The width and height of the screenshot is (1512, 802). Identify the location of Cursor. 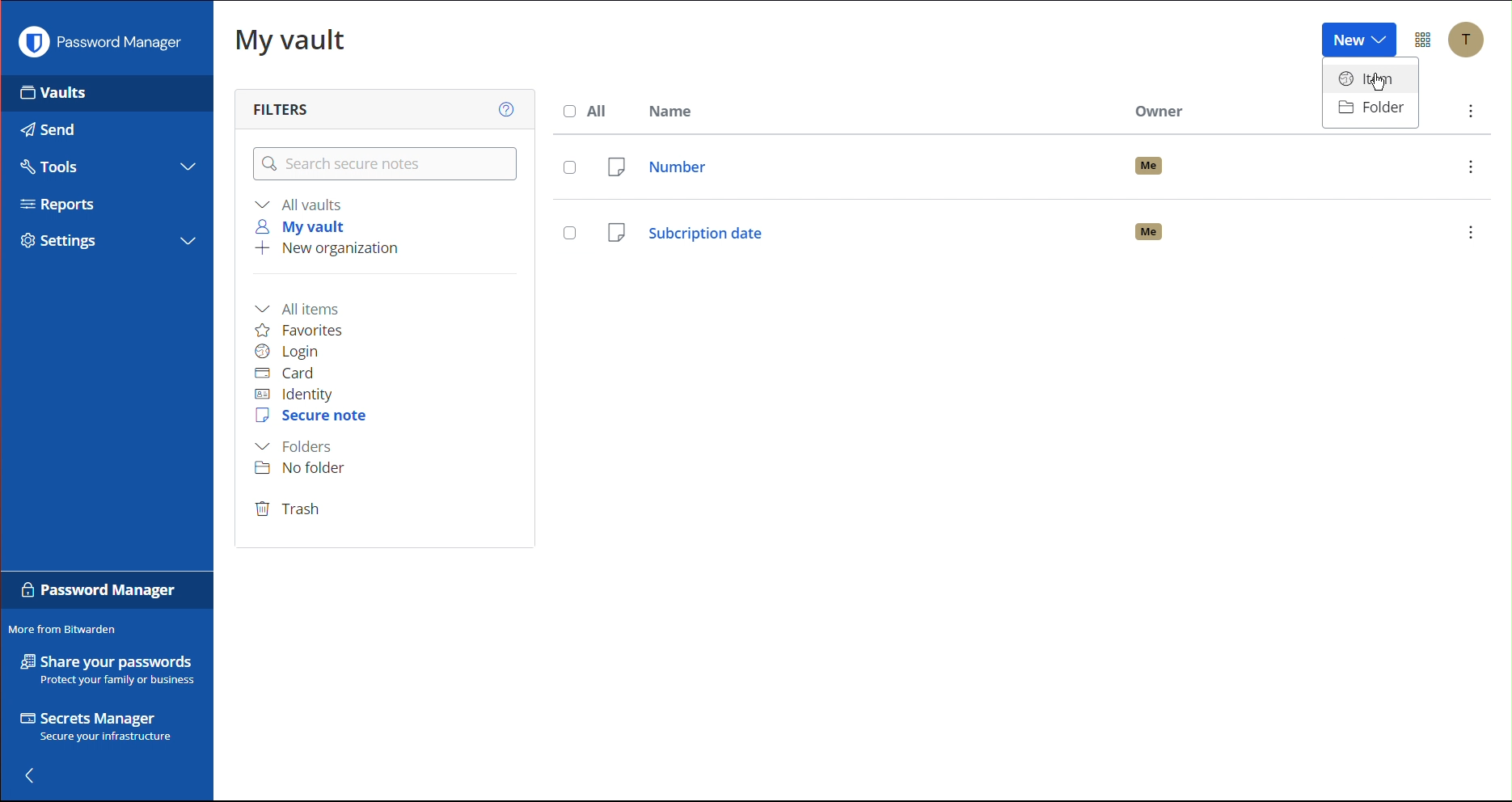
(1378, 82).